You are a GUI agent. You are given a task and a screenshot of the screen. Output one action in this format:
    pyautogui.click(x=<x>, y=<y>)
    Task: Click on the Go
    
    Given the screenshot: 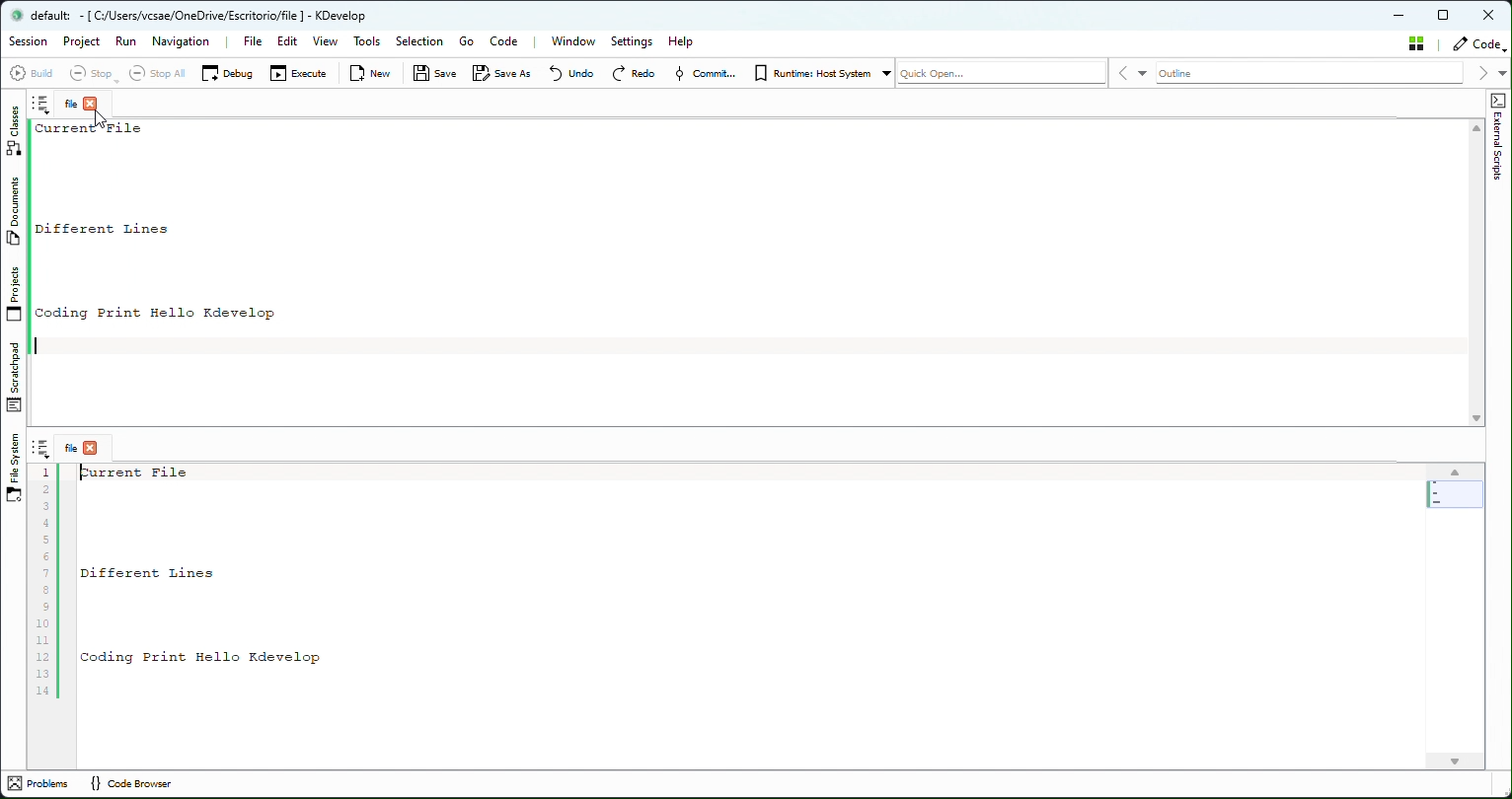 What is the action you would take?
    pyautogui.click(x=469, y=42)
    